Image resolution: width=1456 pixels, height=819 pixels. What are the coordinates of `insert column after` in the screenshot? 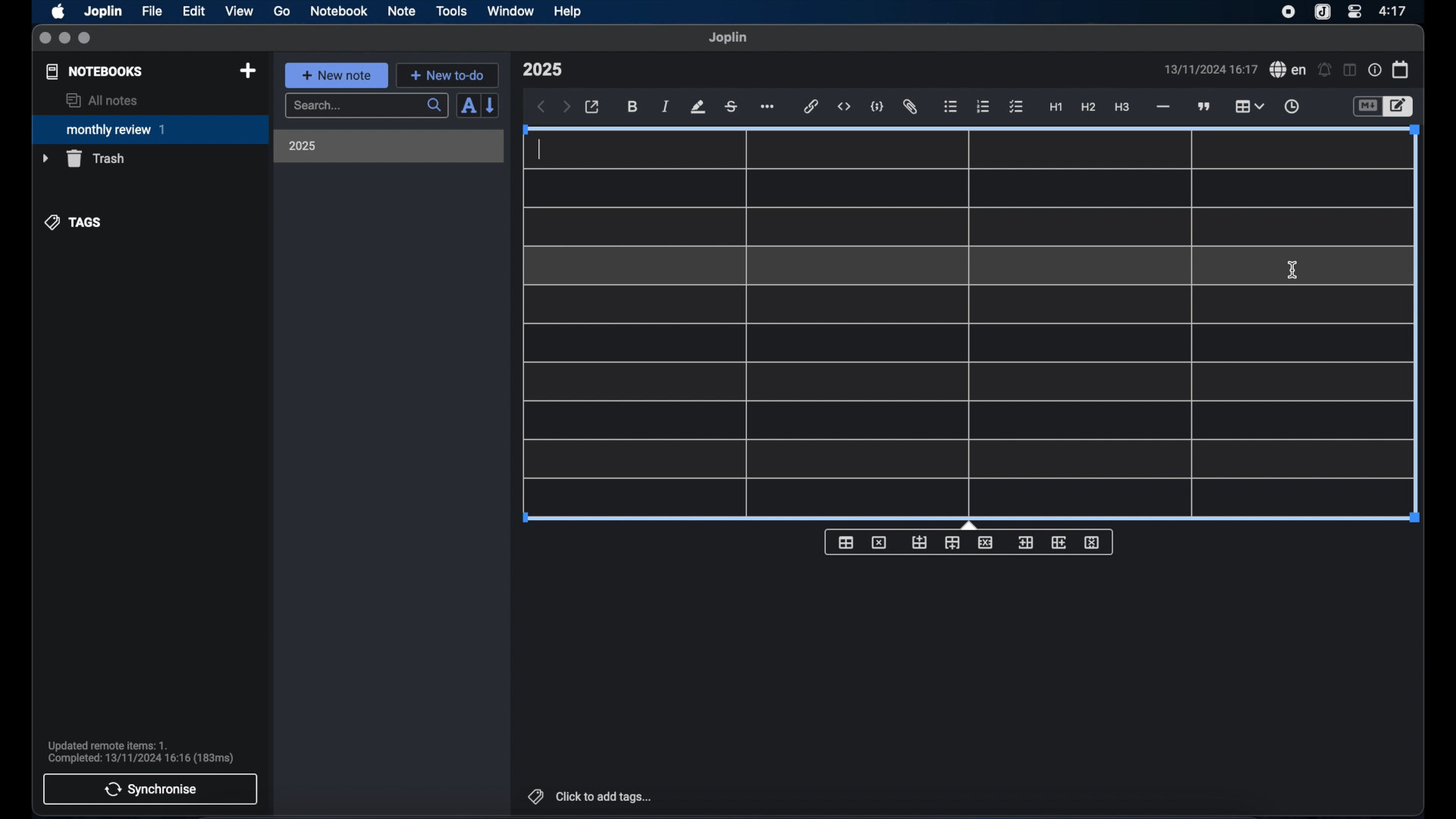 It's located at (1059, 542).